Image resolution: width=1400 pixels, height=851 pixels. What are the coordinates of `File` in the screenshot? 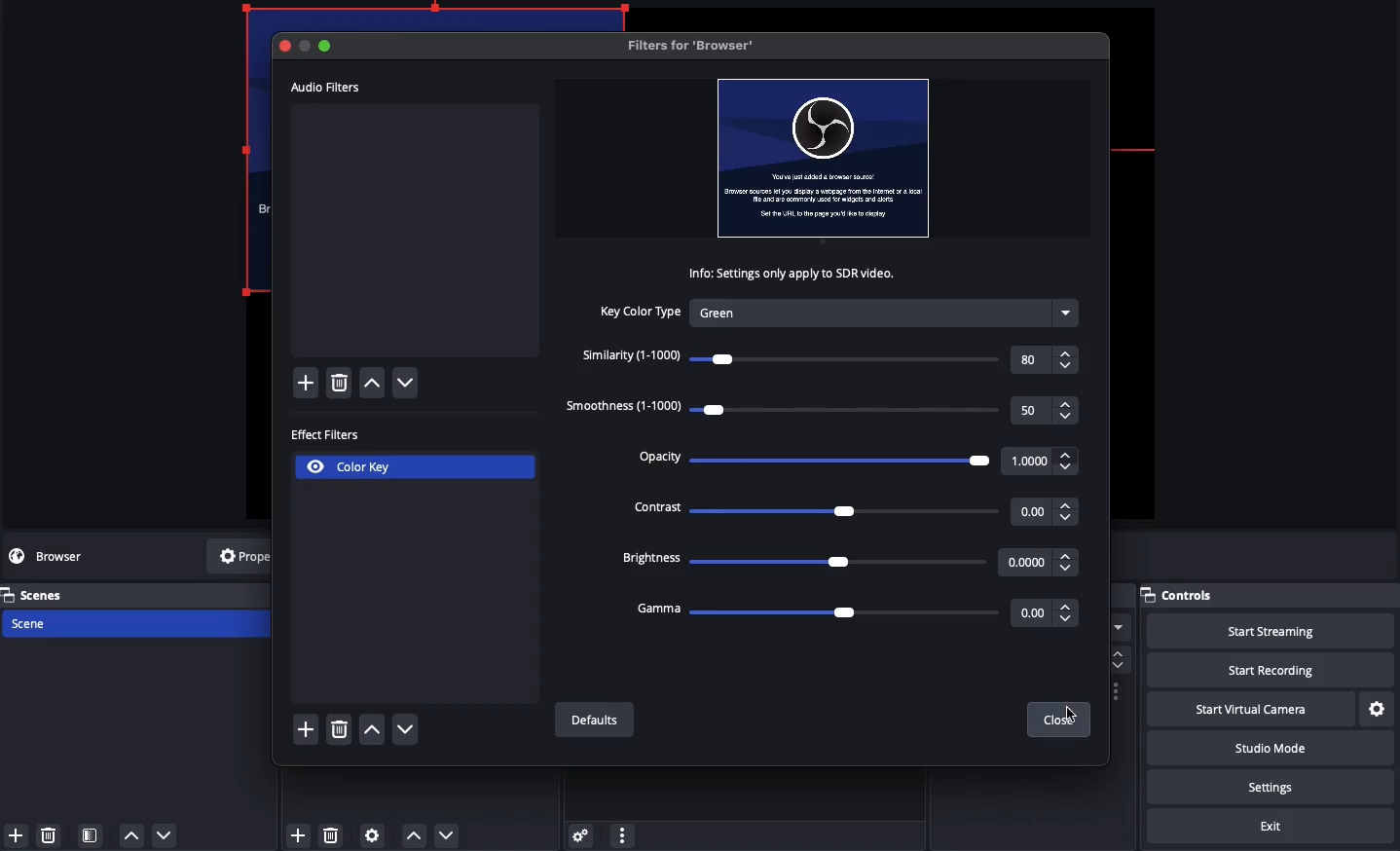 It's located at (825, 160).